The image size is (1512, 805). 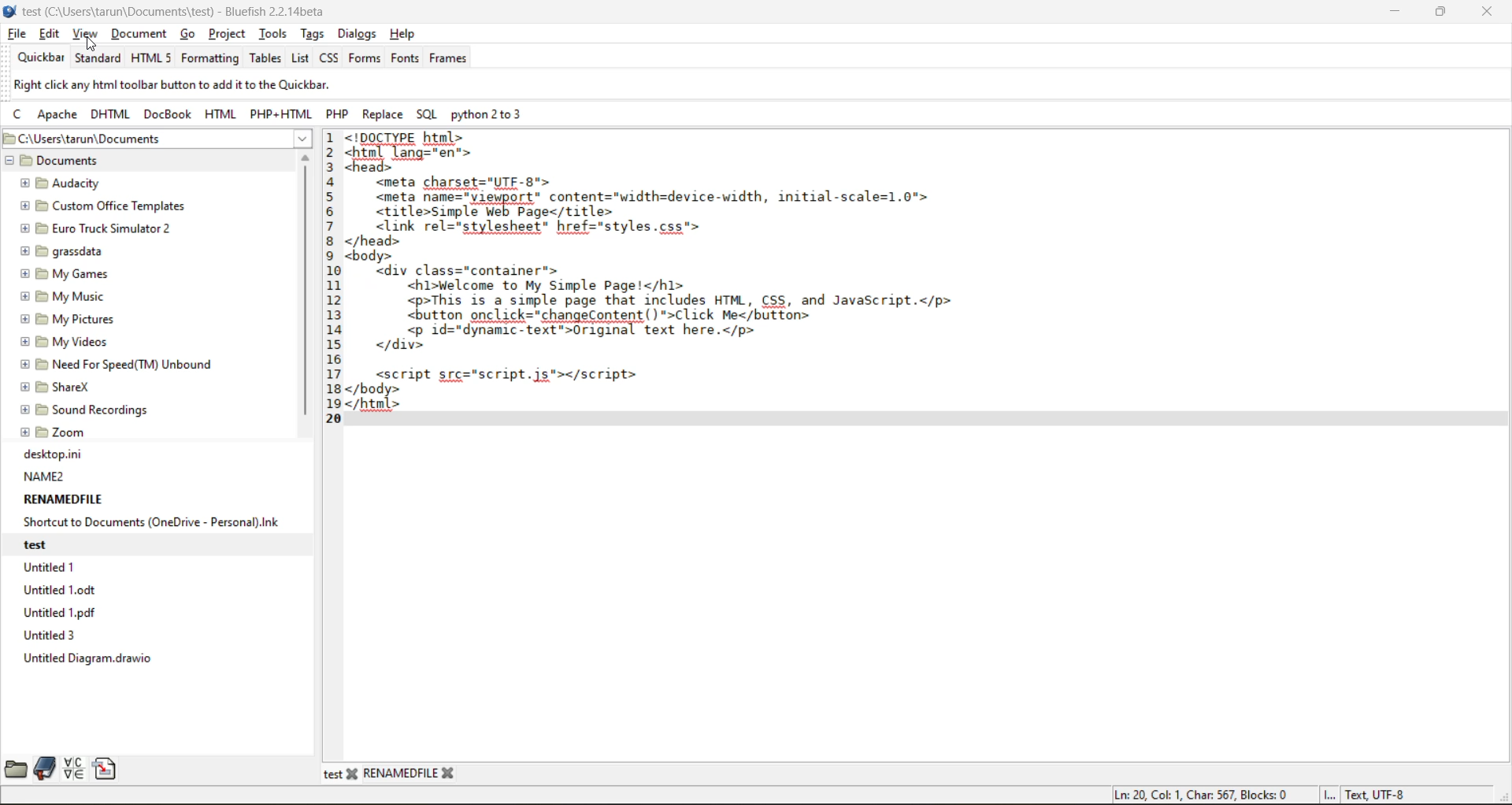 What do you see at coordinates (499, 117) in the screenshot?
I see `python 2 to 3` at bounding box center [499, 117].